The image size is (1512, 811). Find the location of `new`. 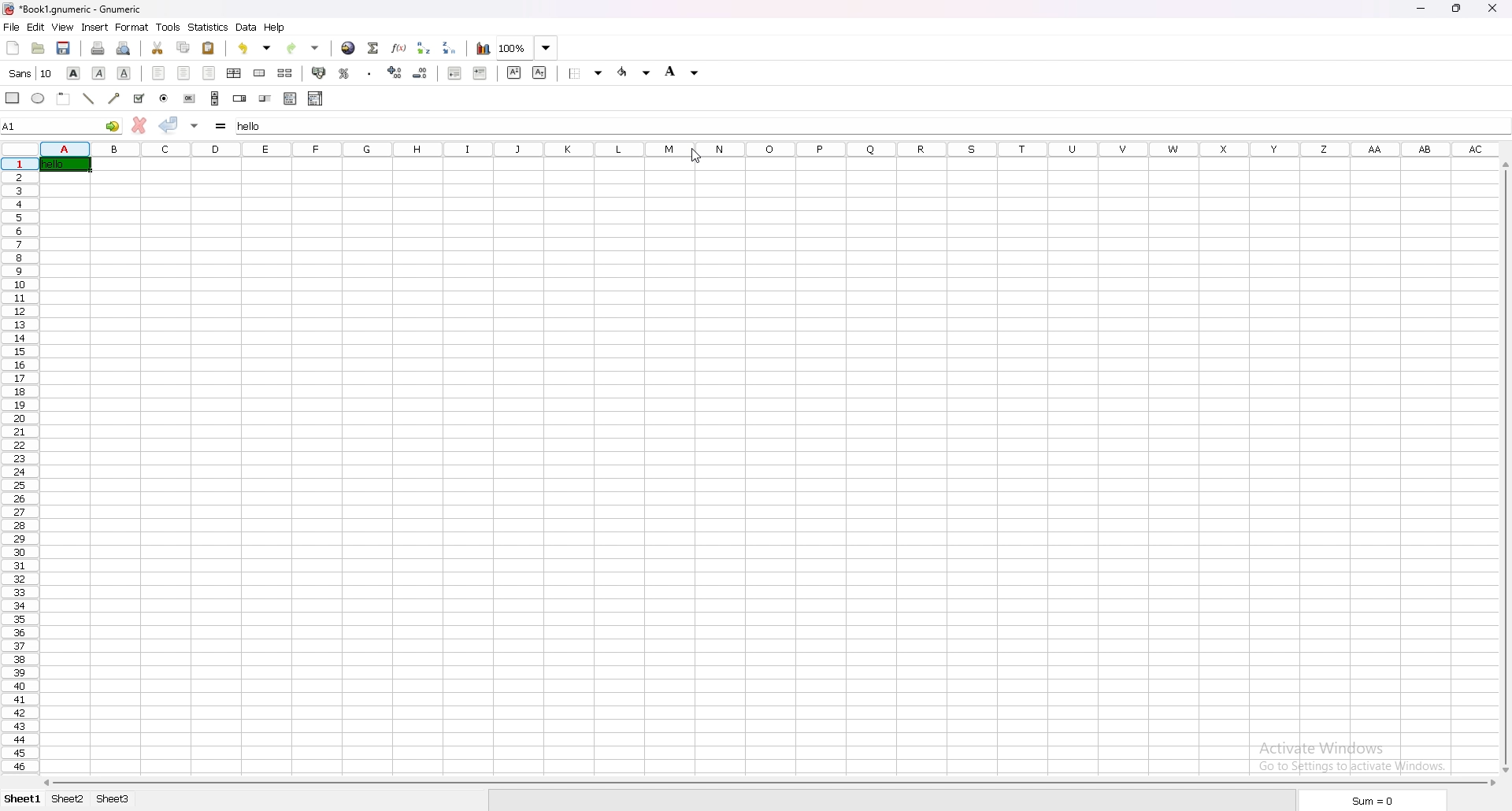

new is located at coordinates (13, 46).